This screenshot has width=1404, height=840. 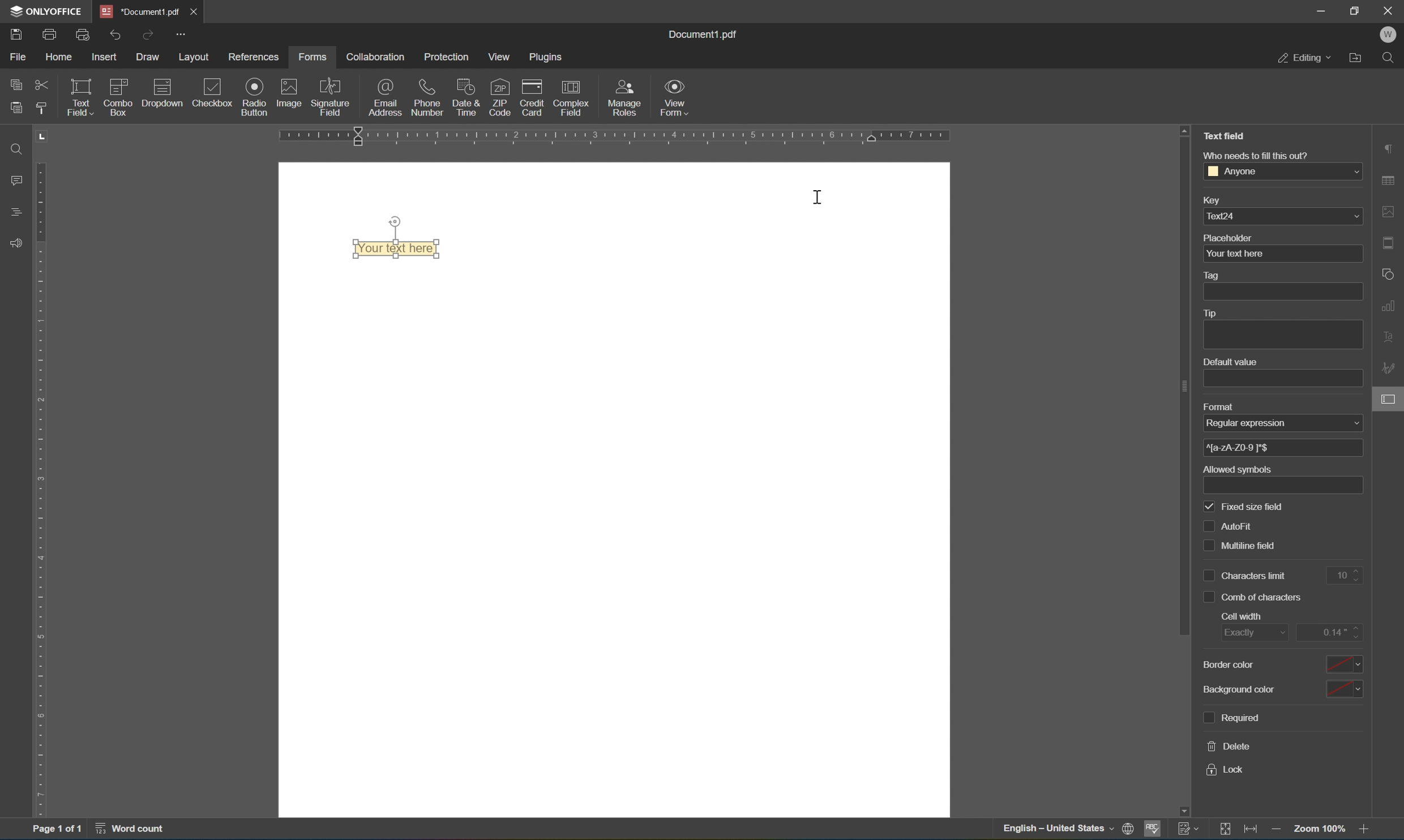 What do you see at coordinates (1390, 9) in the screenshot?
I see `close` at bounding box center [1390, 9].